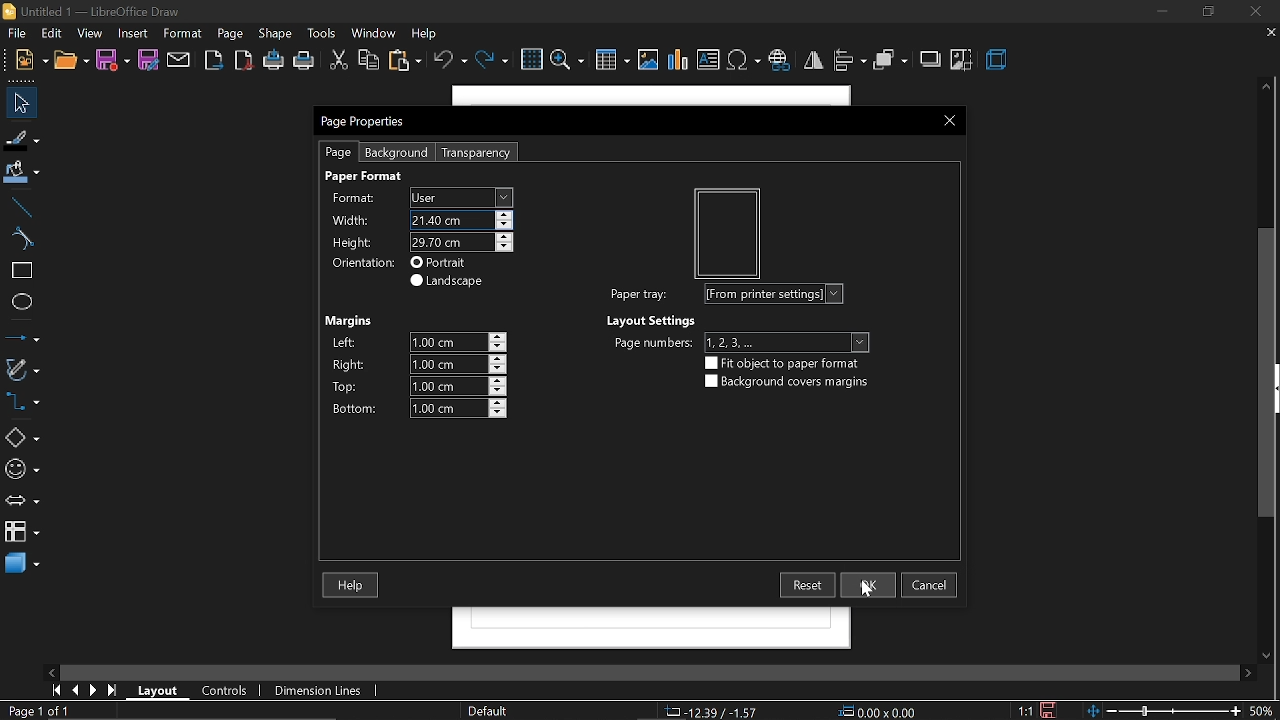  What do you see at coordinates (398, 153) in the screenshot?
I see `background` at bounding box center [398, 153].